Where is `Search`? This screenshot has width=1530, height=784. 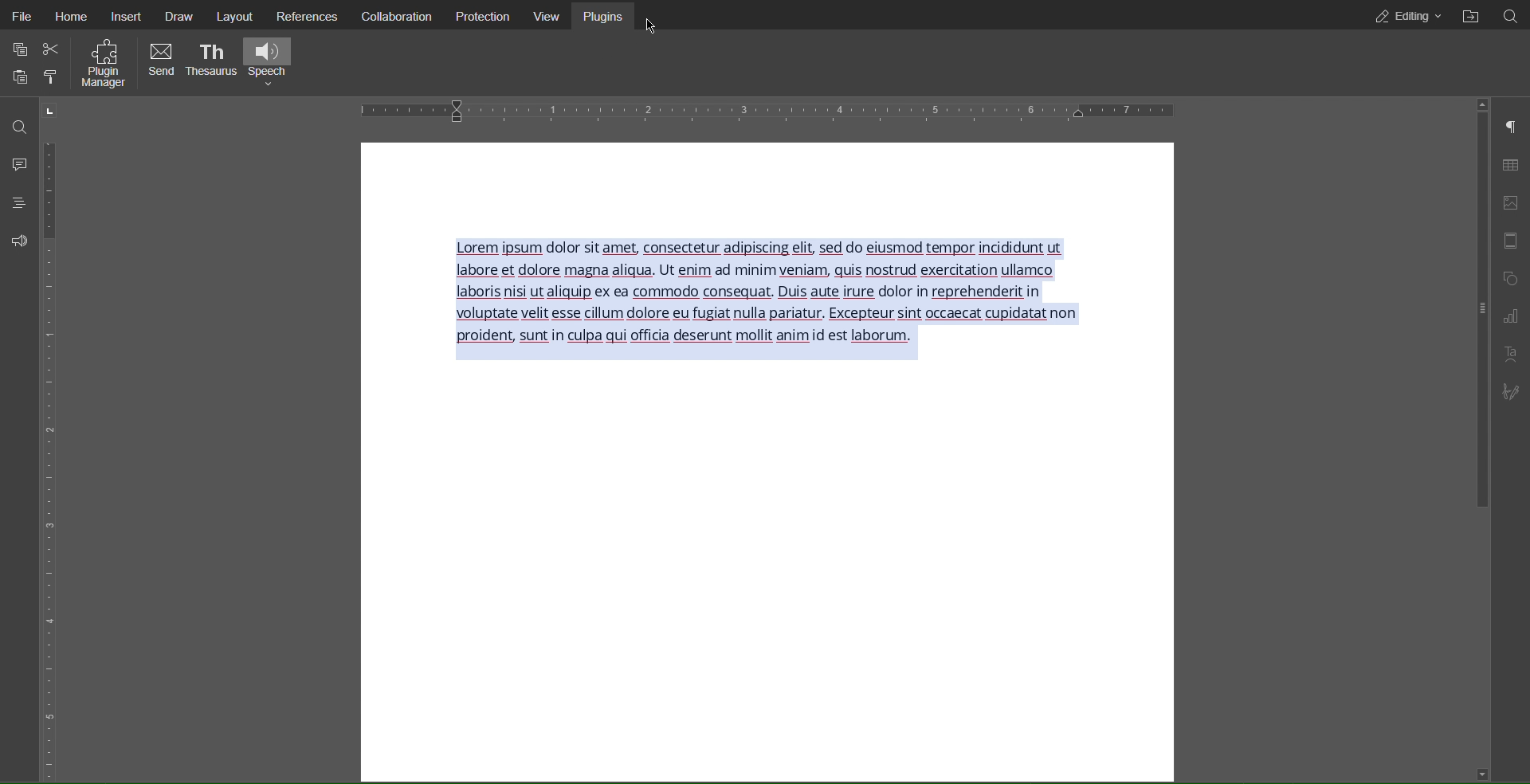 Search is located at coordinates (1516, 15).